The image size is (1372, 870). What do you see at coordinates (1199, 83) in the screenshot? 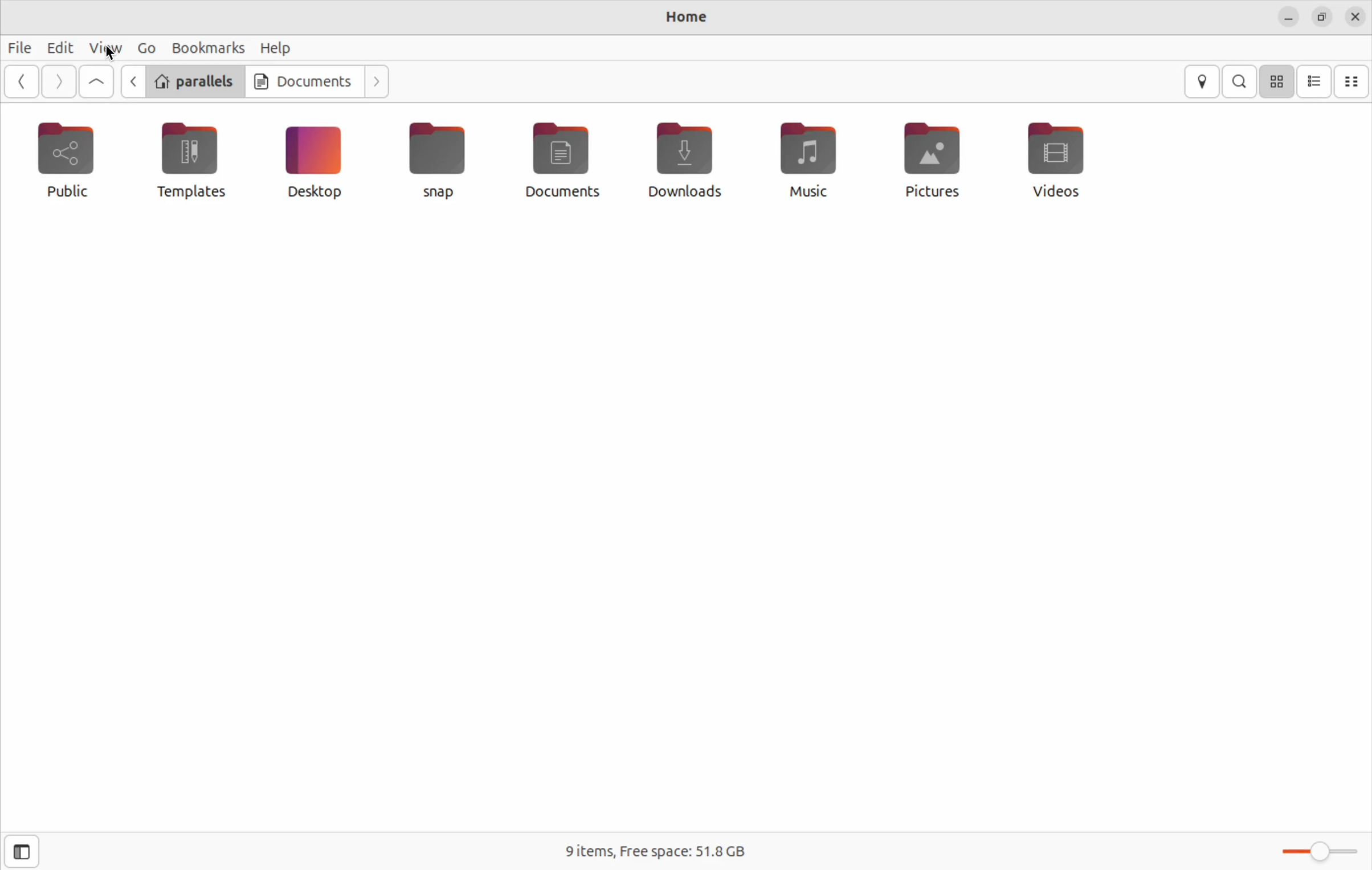
I see `location` at bounding box center [1199, 83].